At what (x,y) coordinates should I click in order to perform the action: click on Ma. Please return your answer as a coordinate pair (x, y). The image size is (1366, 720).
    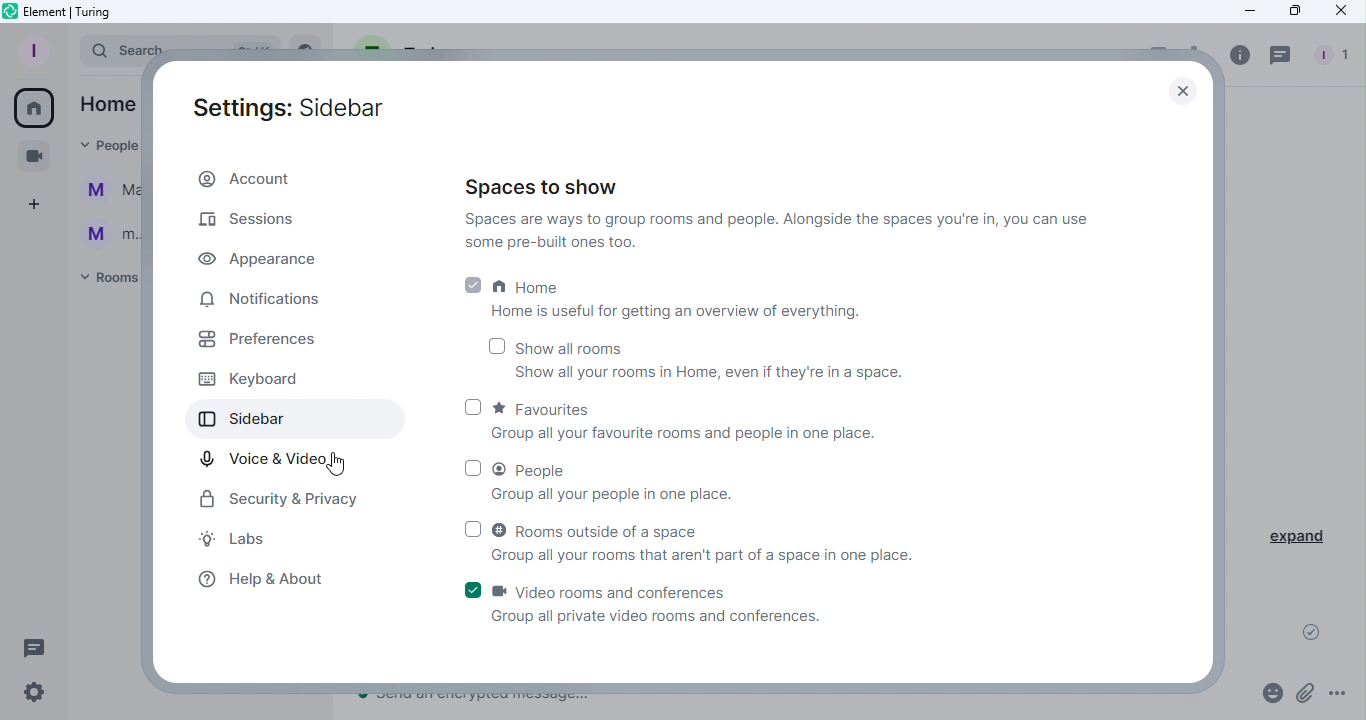
    Looking at the image, I should click on (110, 189).